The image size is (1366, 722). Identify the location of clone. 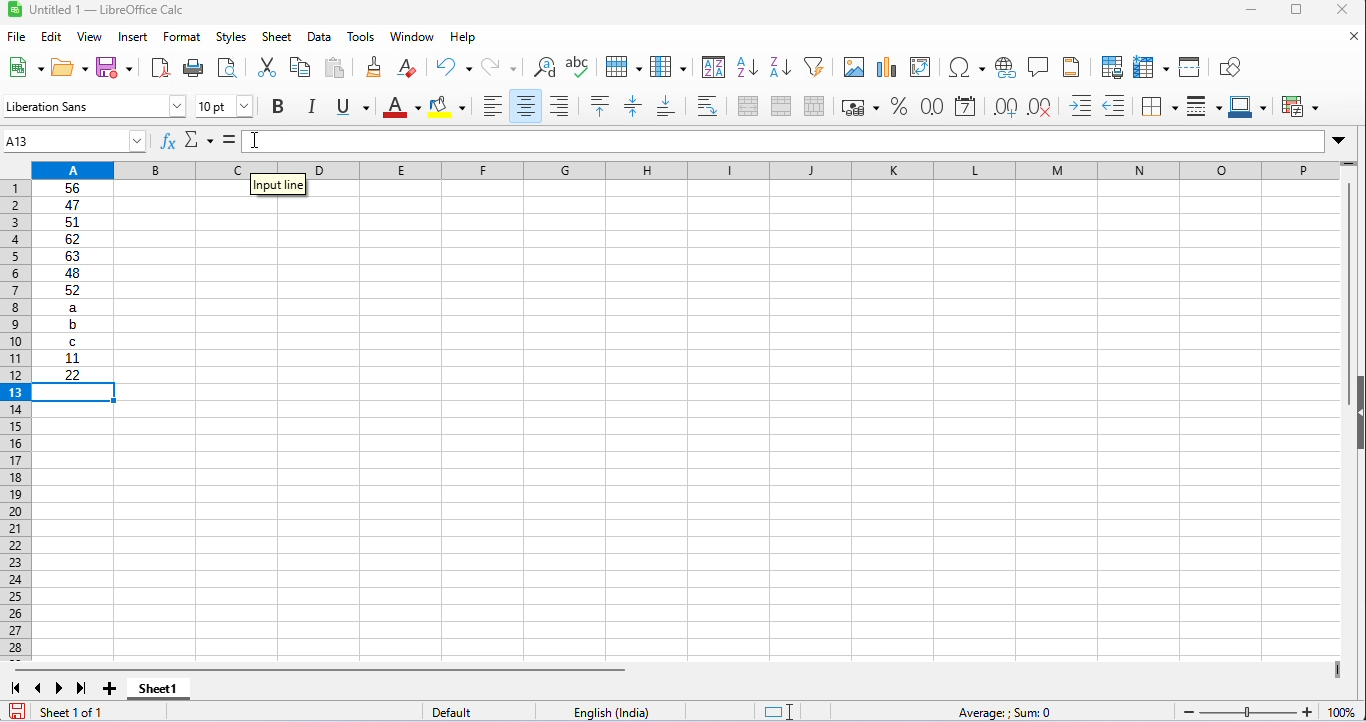
(371, 67).